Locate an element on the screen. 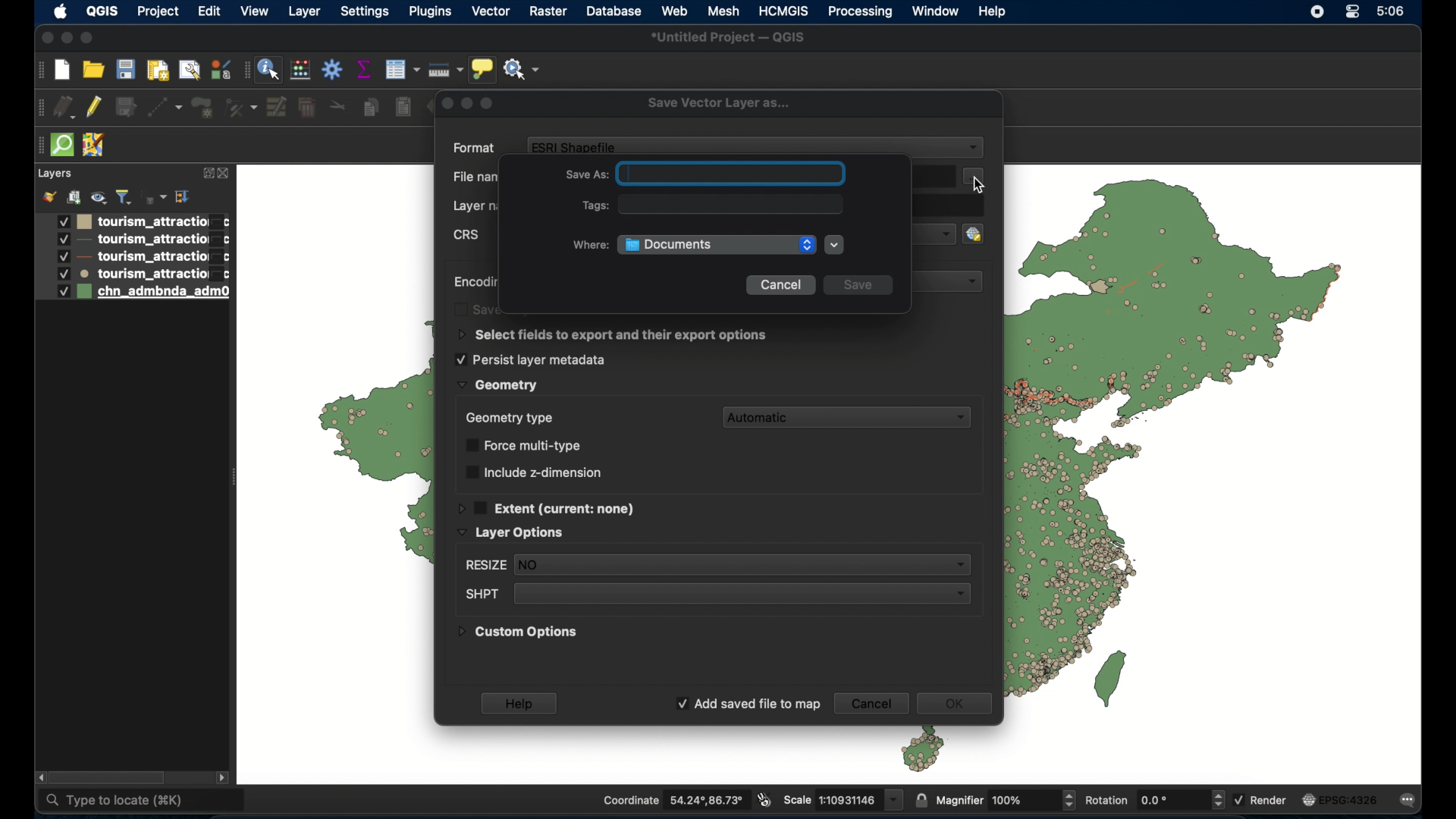 This screenshot has height=819, width=1456. layer 5 is located at coordinates (132, 293).